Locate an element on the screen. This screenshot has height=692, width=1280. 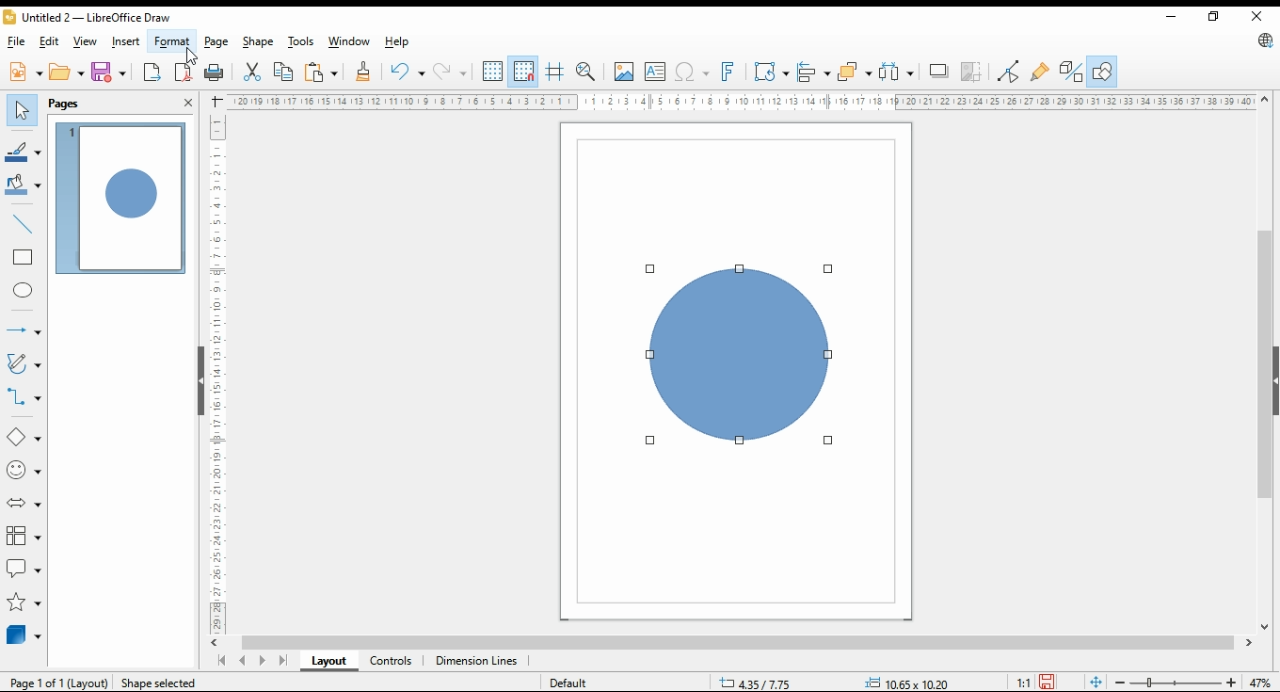
lines and arrows is located at coordinates (23, 329).